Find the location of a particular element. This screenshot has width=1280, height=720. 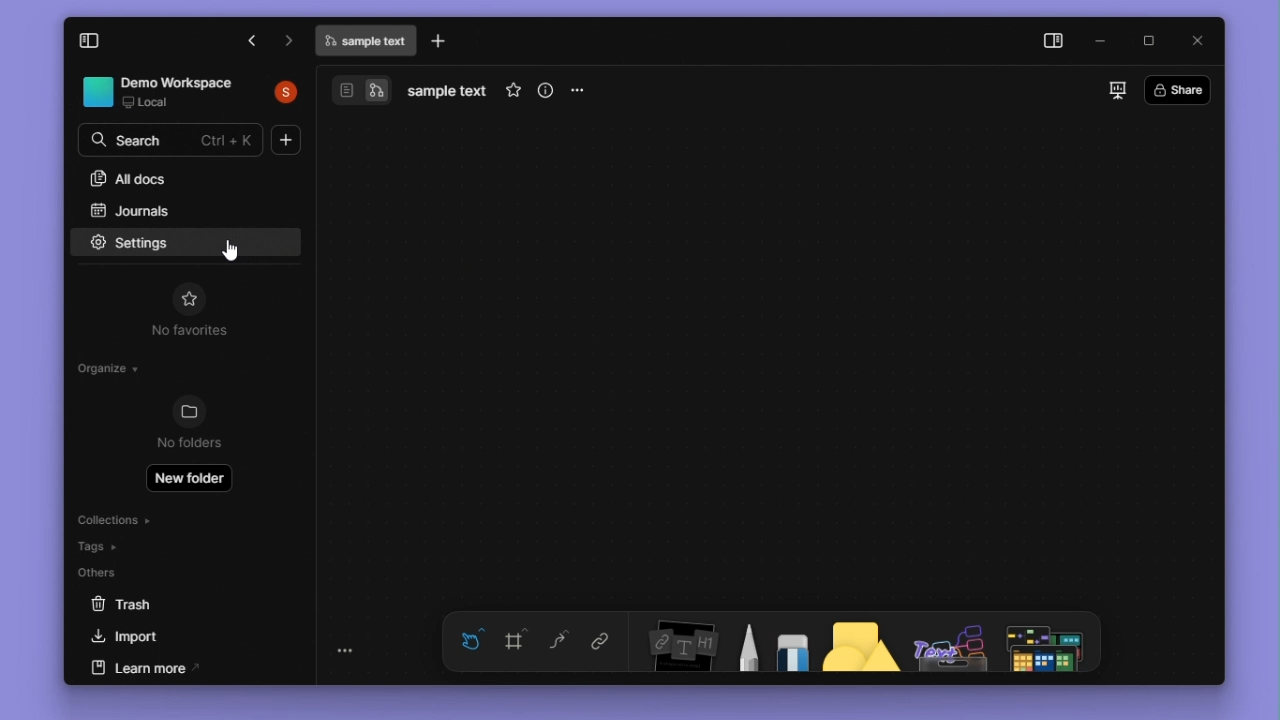

frame is located at coordinates (514, 641).